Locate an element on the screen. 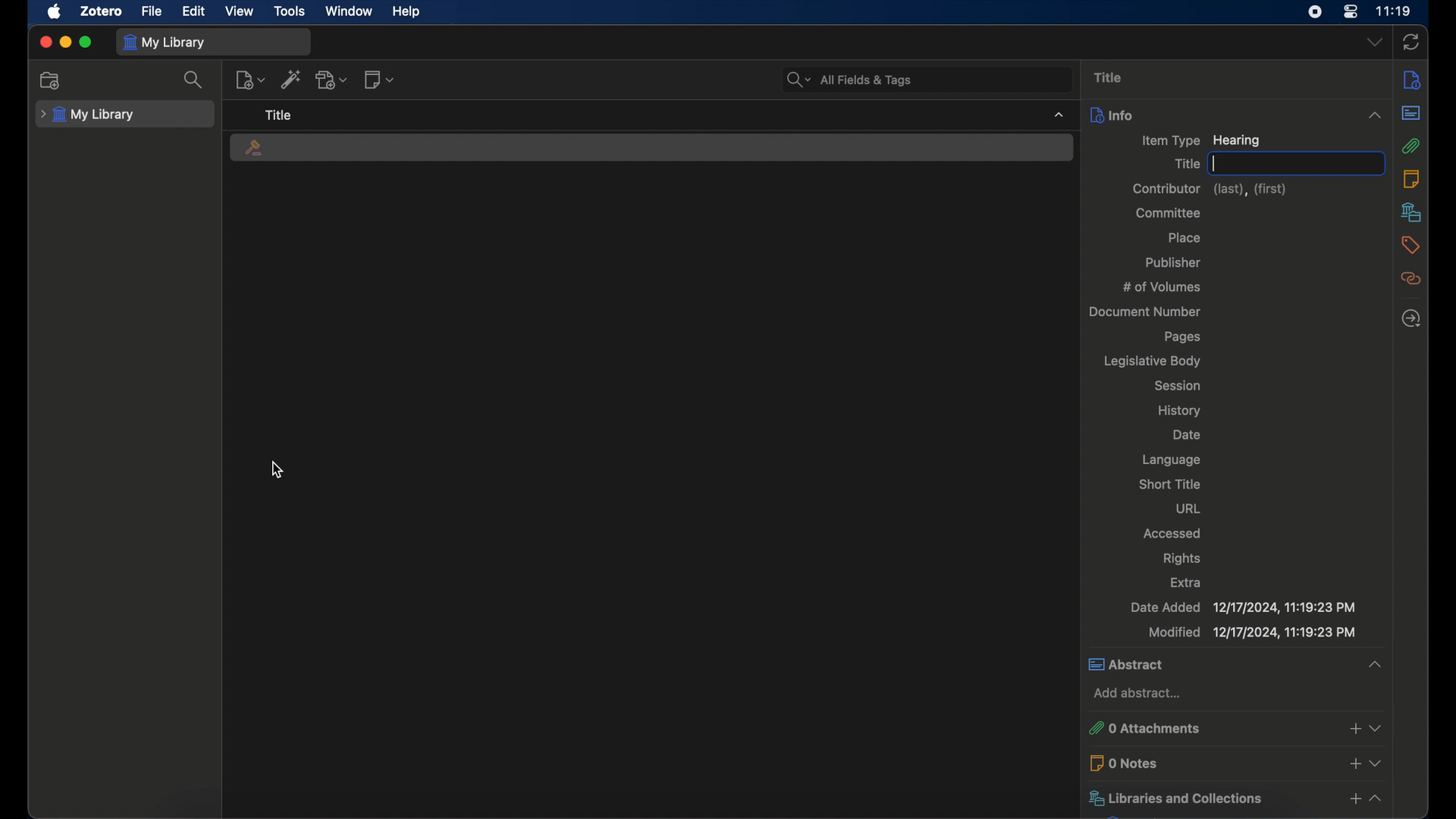 The image size is (1456, 819). short title is located at coordinates (1170, 484).